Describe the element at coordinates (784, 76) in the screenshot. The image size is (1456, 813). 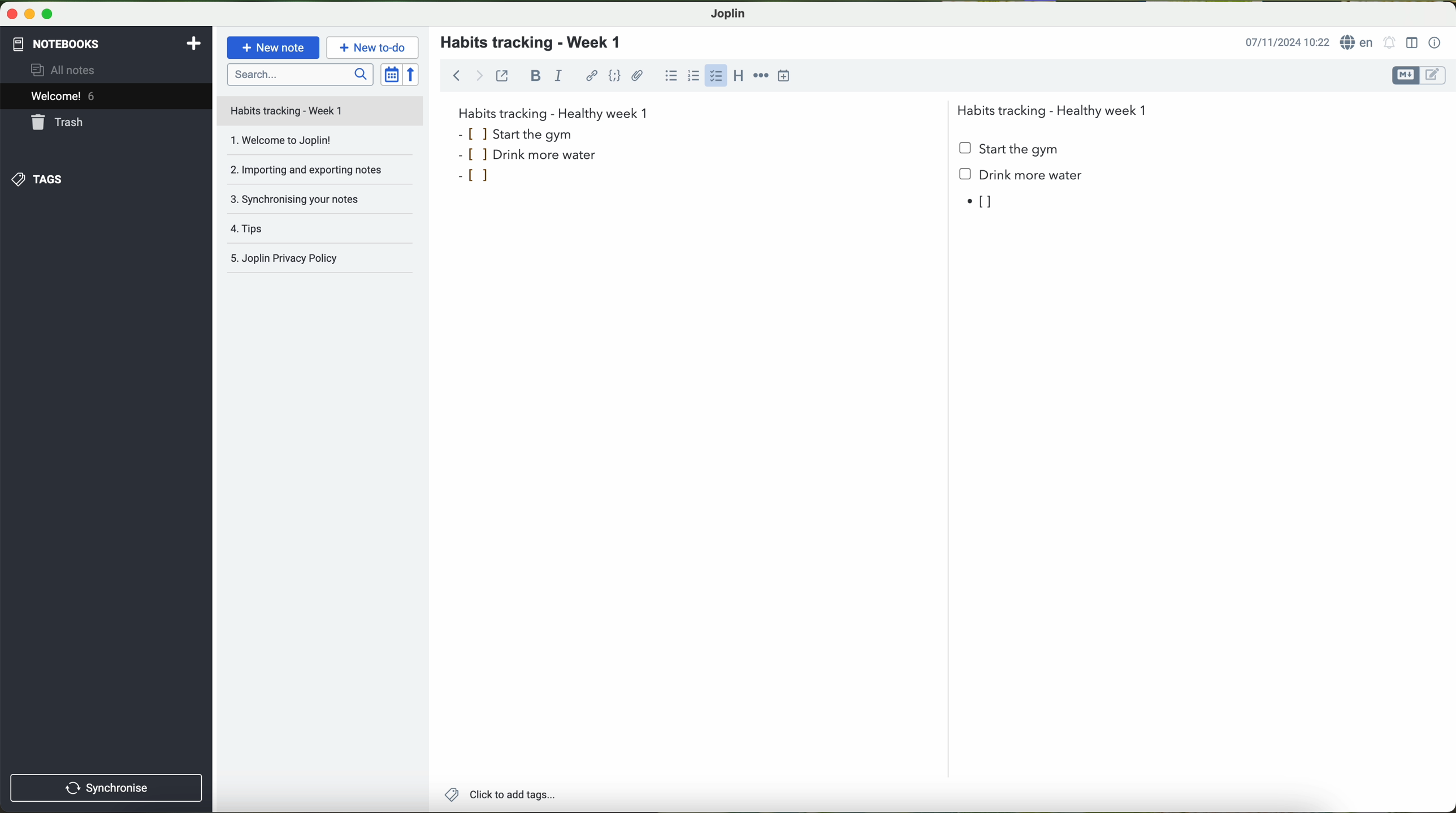
I see `insert time` at that location.